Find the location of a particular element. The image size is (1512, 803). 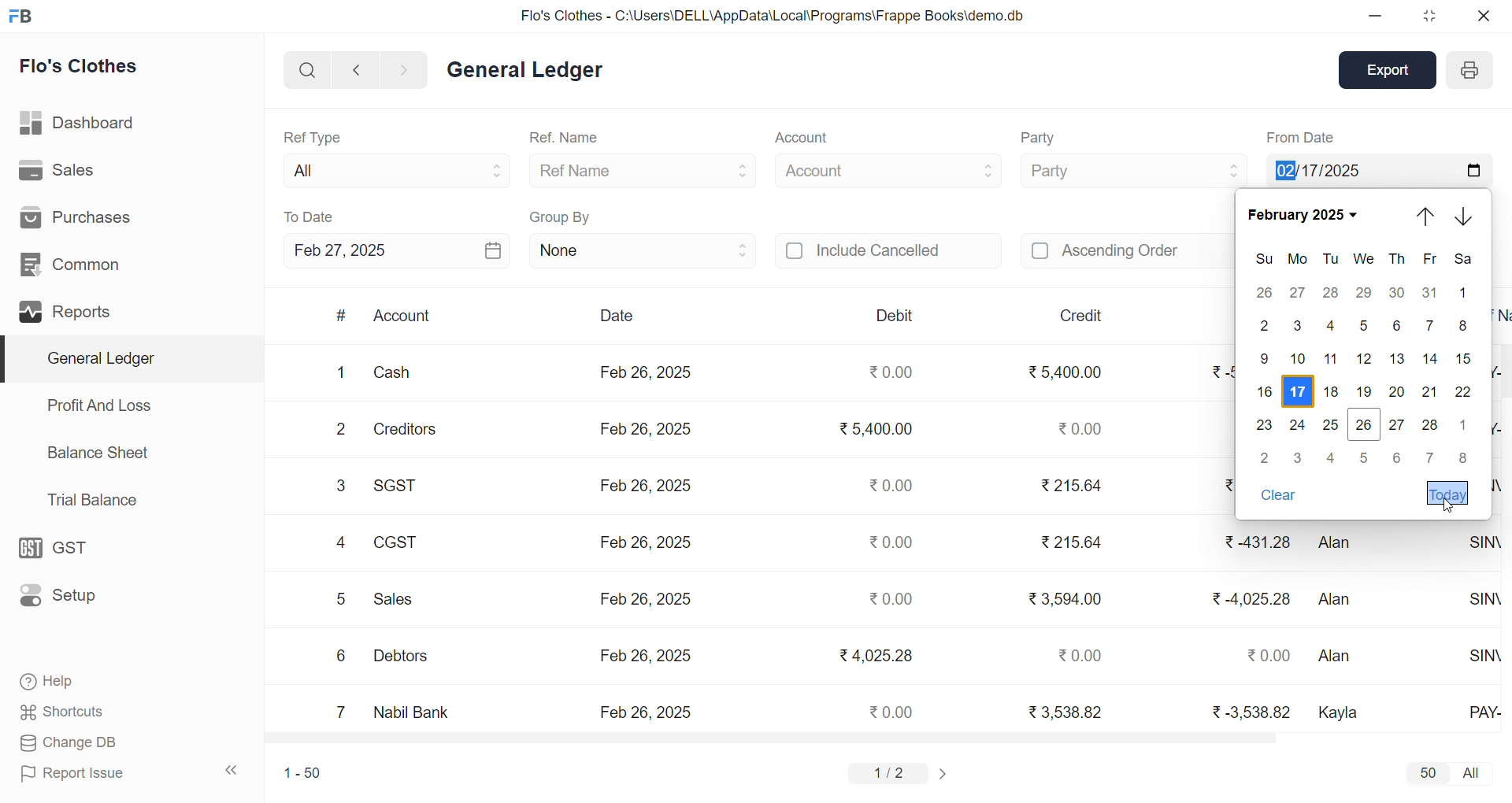

Common is located at coordinates (71, 262).